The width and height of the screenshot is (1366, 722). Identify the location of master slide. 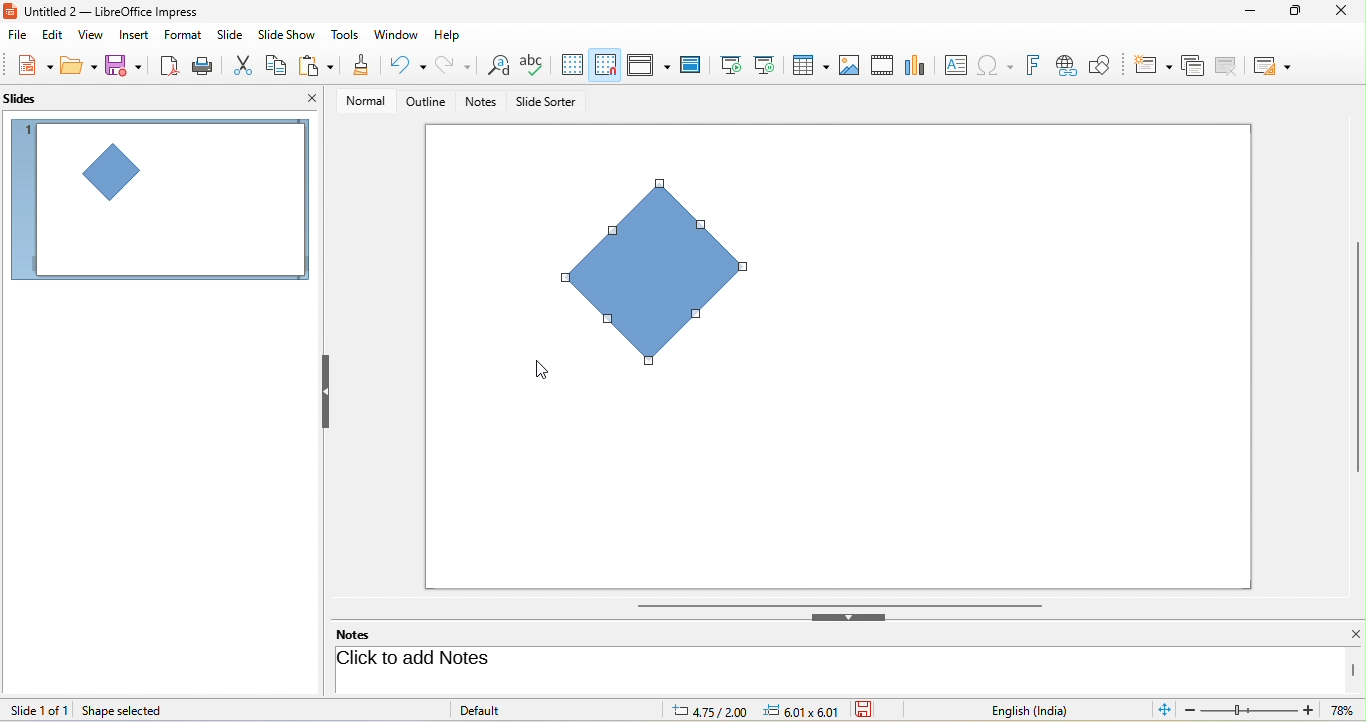
(695, 65).